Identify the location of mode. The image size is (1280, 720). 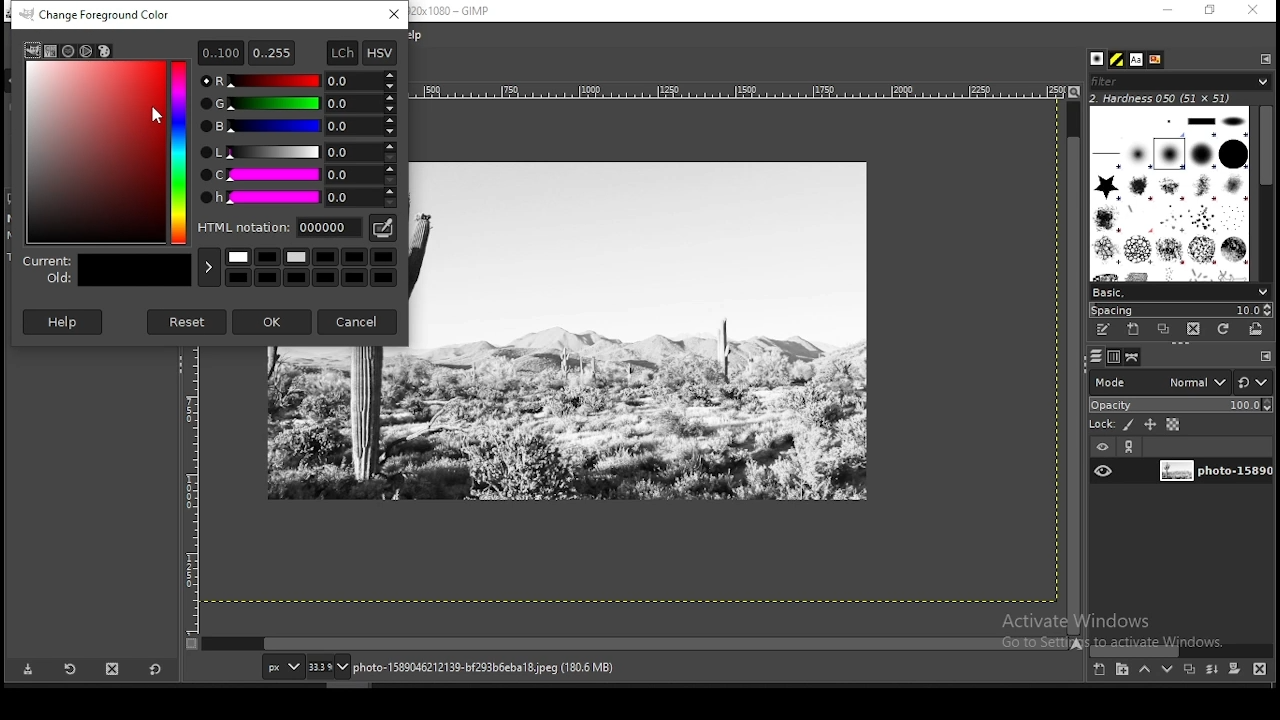
(1160, 381).